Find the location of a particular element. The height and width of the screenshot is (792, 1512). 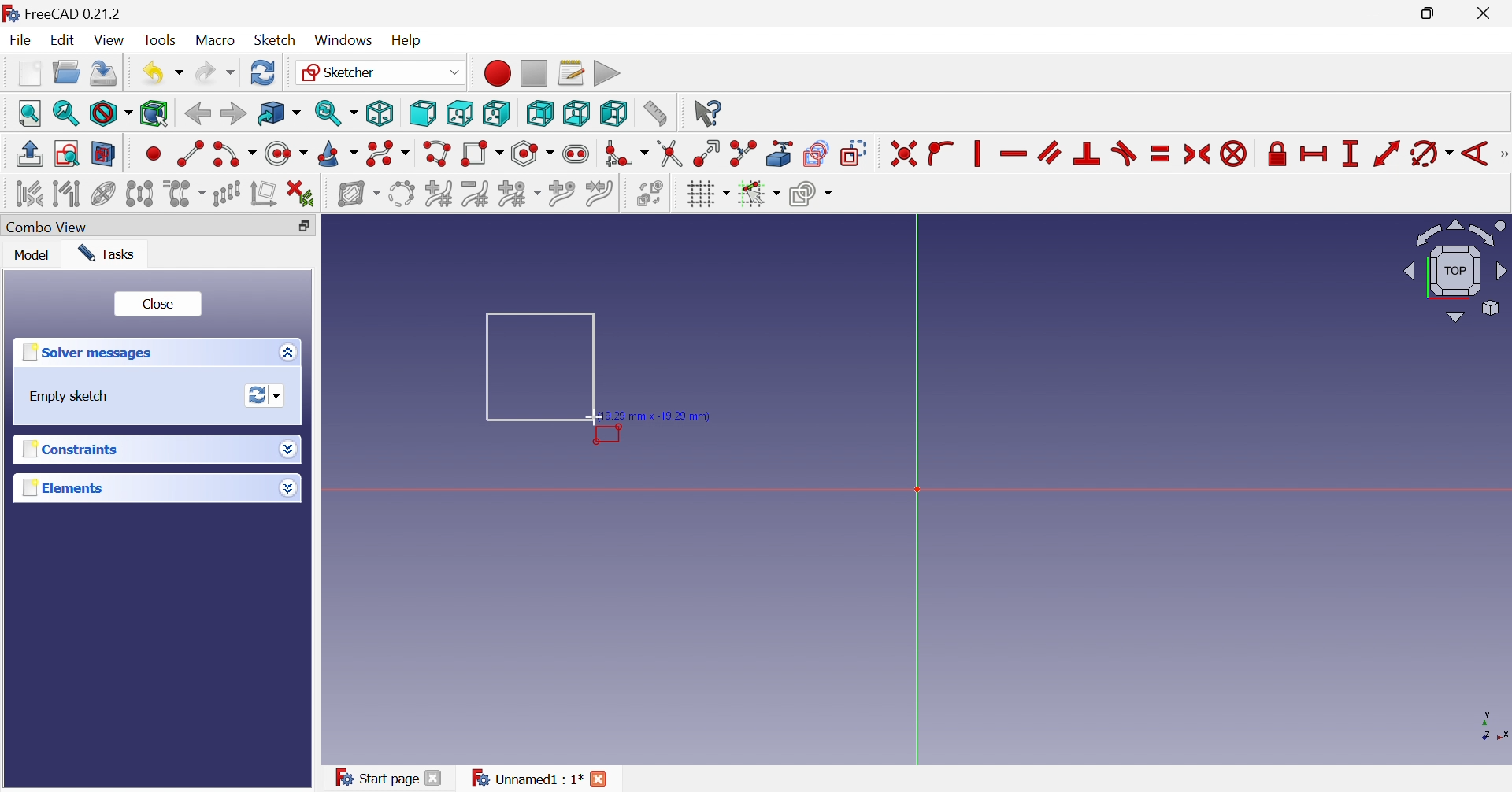

Constrain vertical distance is located at coordinates (1349, 154).